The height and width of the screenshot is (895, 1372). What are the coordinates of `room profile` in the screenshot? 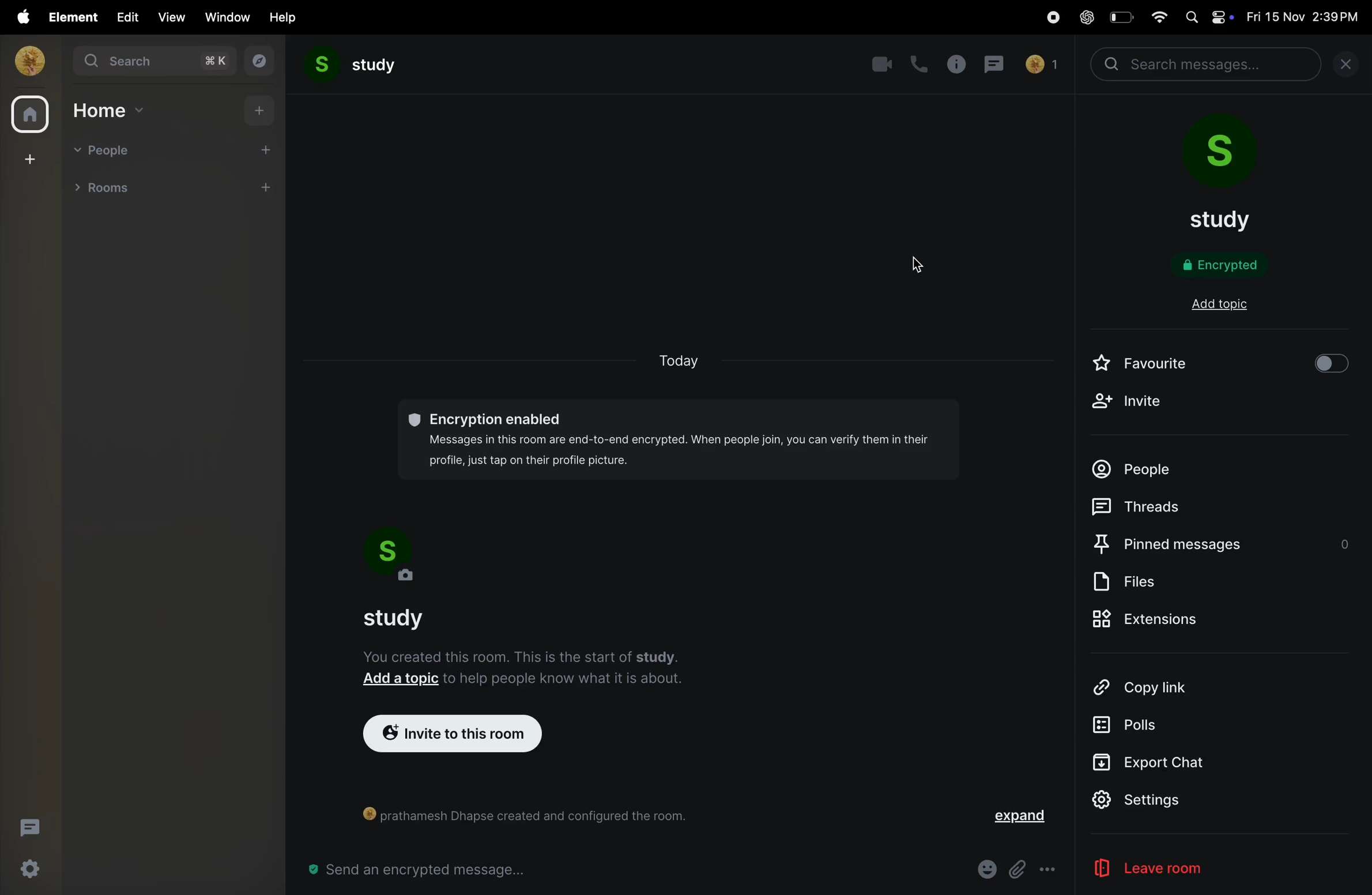 It's located at (1229, 156).